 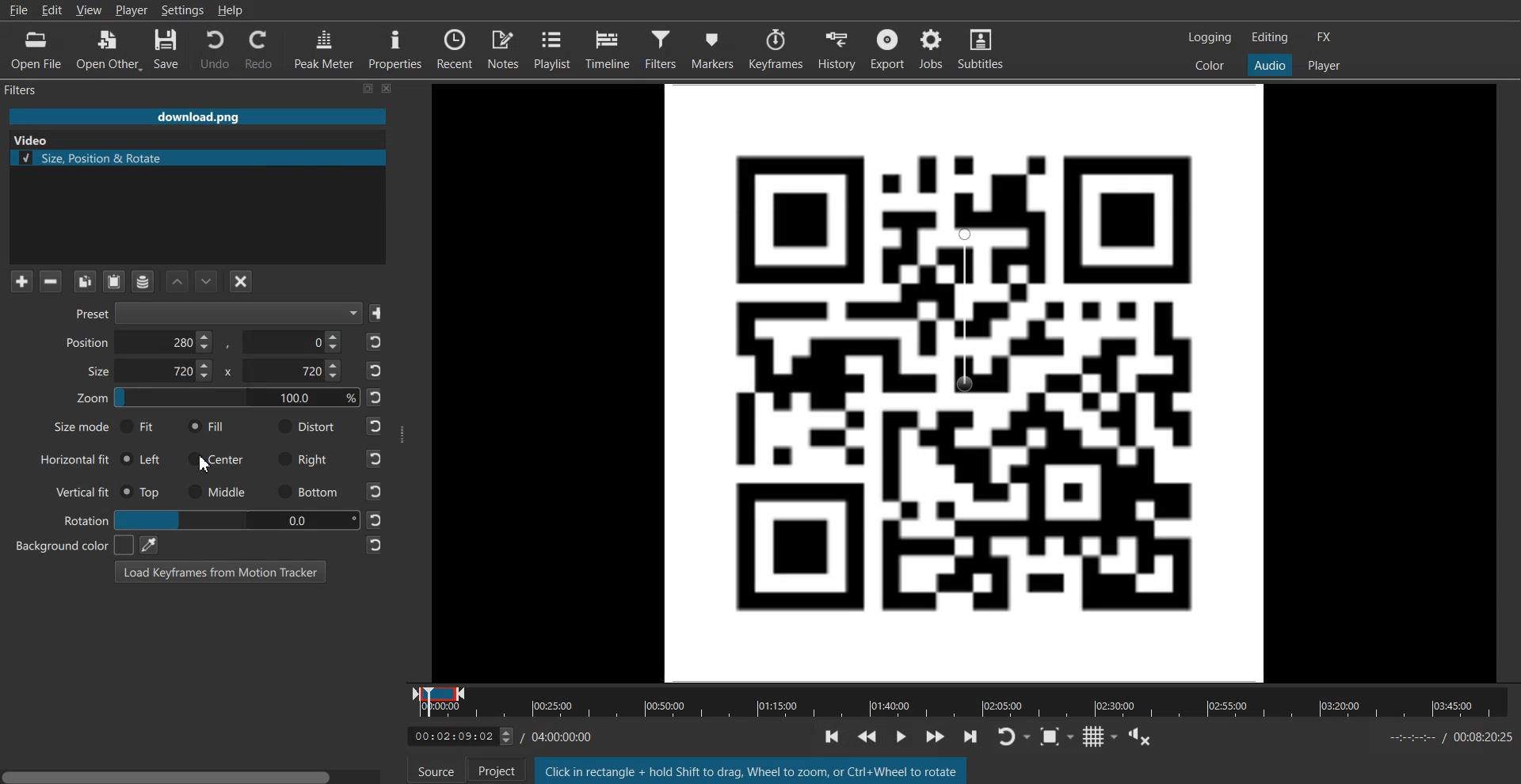 What do you see at coordinates (1018, 738) in the screenshot?
I see `Toggle player lopping` at bounding box center [1018, 738].